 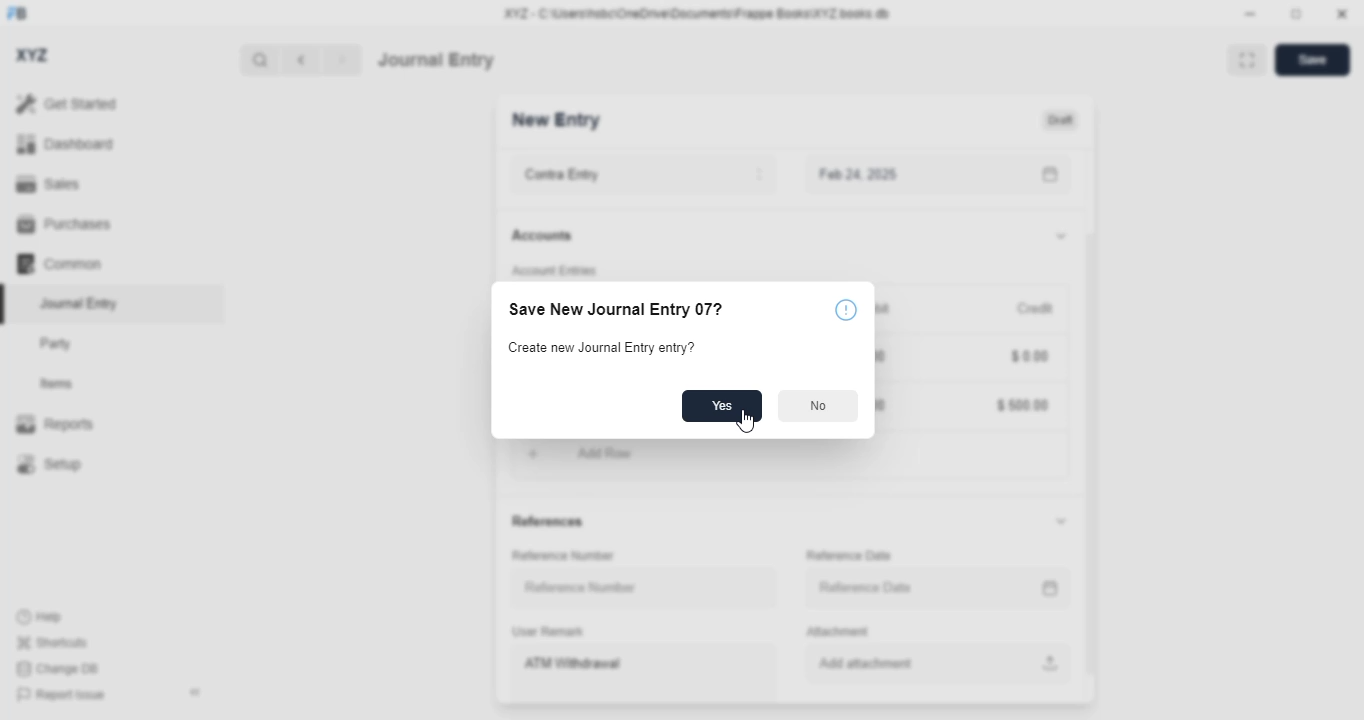 I want to click on calendar icon, so click(x=1046, y=175).